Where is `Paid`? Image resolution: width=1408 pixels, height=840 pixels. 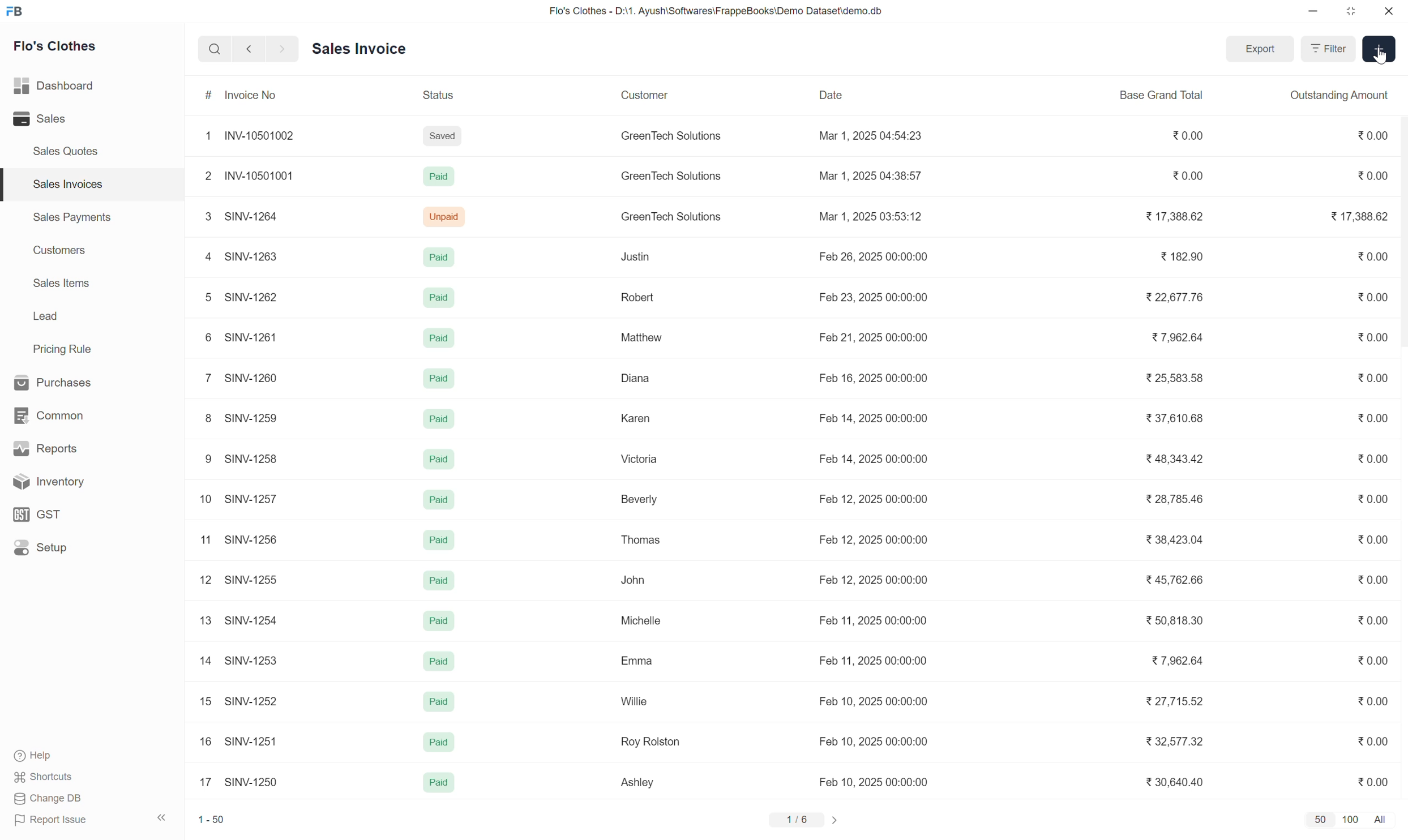
Paid is located at coordinates (441, 542).